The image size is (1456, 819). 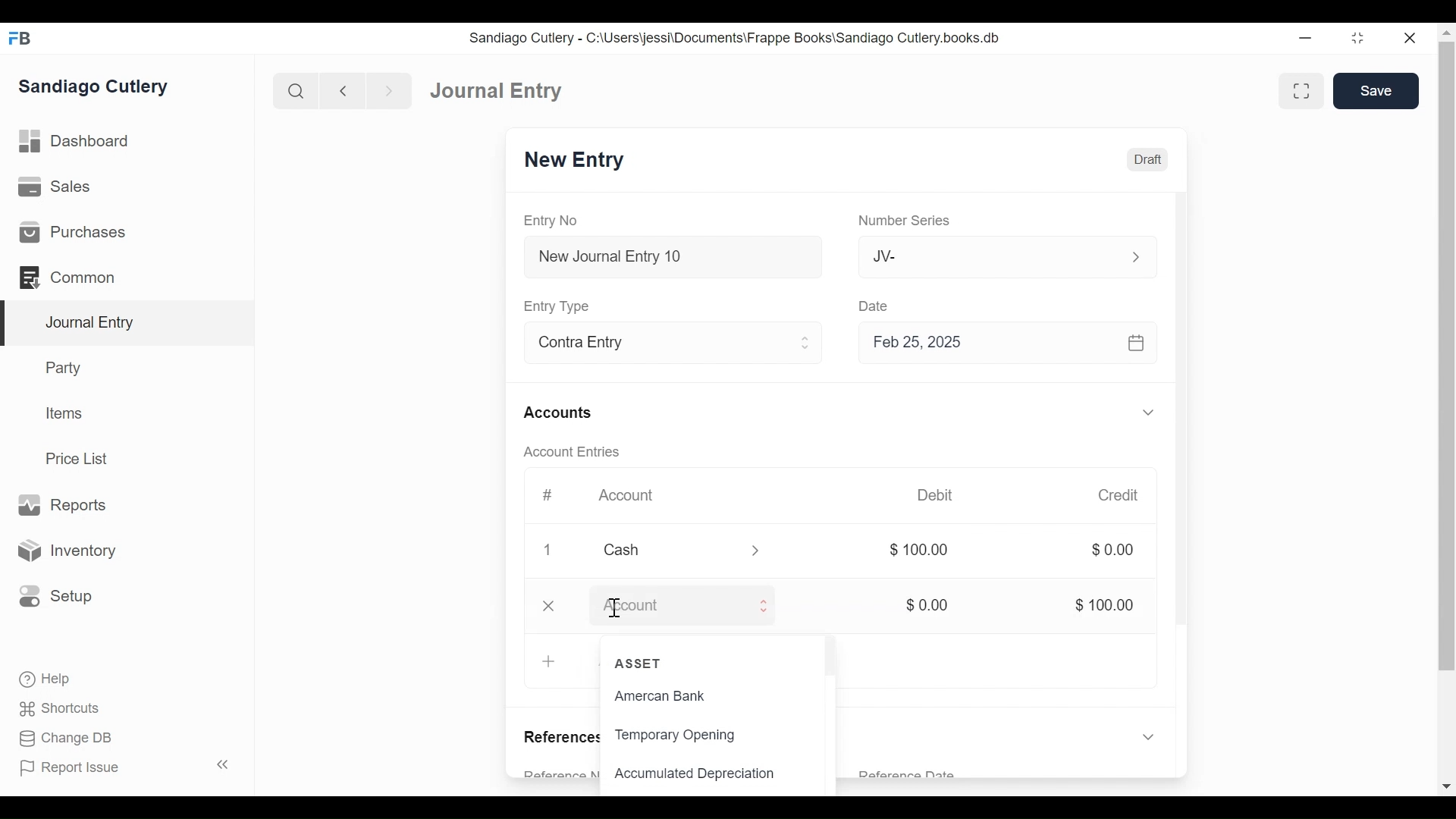 What do you see at coordinates (548, 661) in the screenshot?
I see `+` at bounding box center [548, 661].